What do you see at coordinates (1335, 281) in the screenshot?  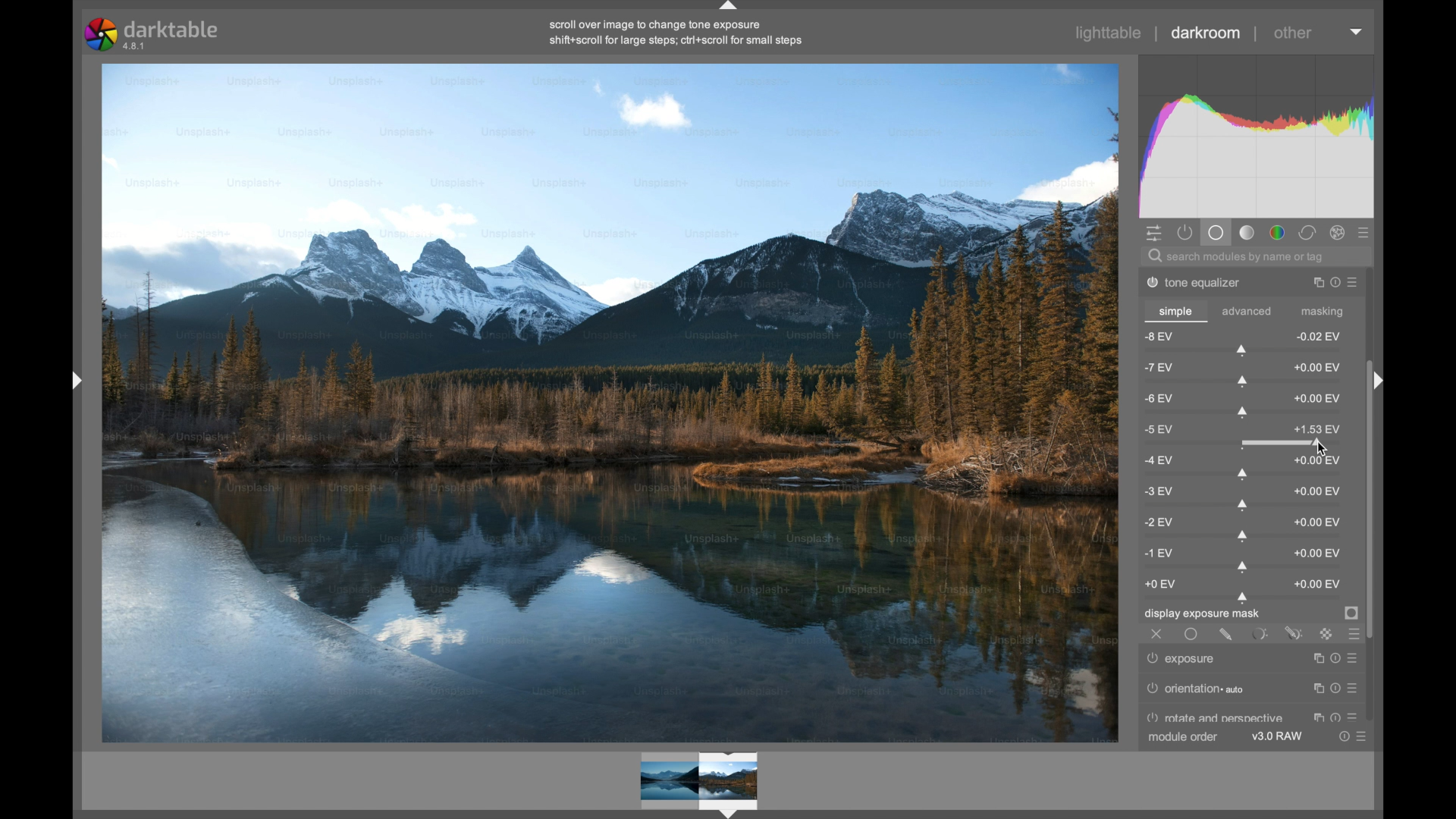 I see `reset parameter` at bounding box center [1335, 281].